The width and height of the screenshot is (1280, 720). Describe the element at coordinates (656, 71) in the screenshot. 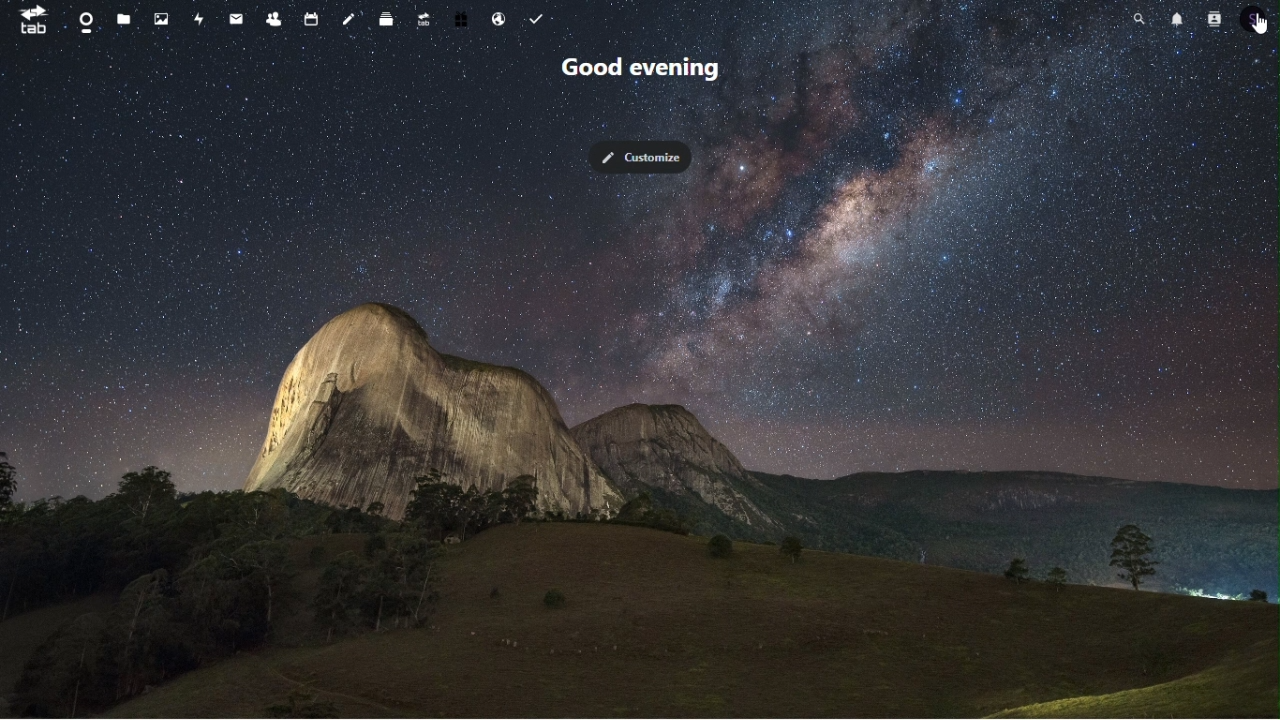

I see `Good evening` at that location.